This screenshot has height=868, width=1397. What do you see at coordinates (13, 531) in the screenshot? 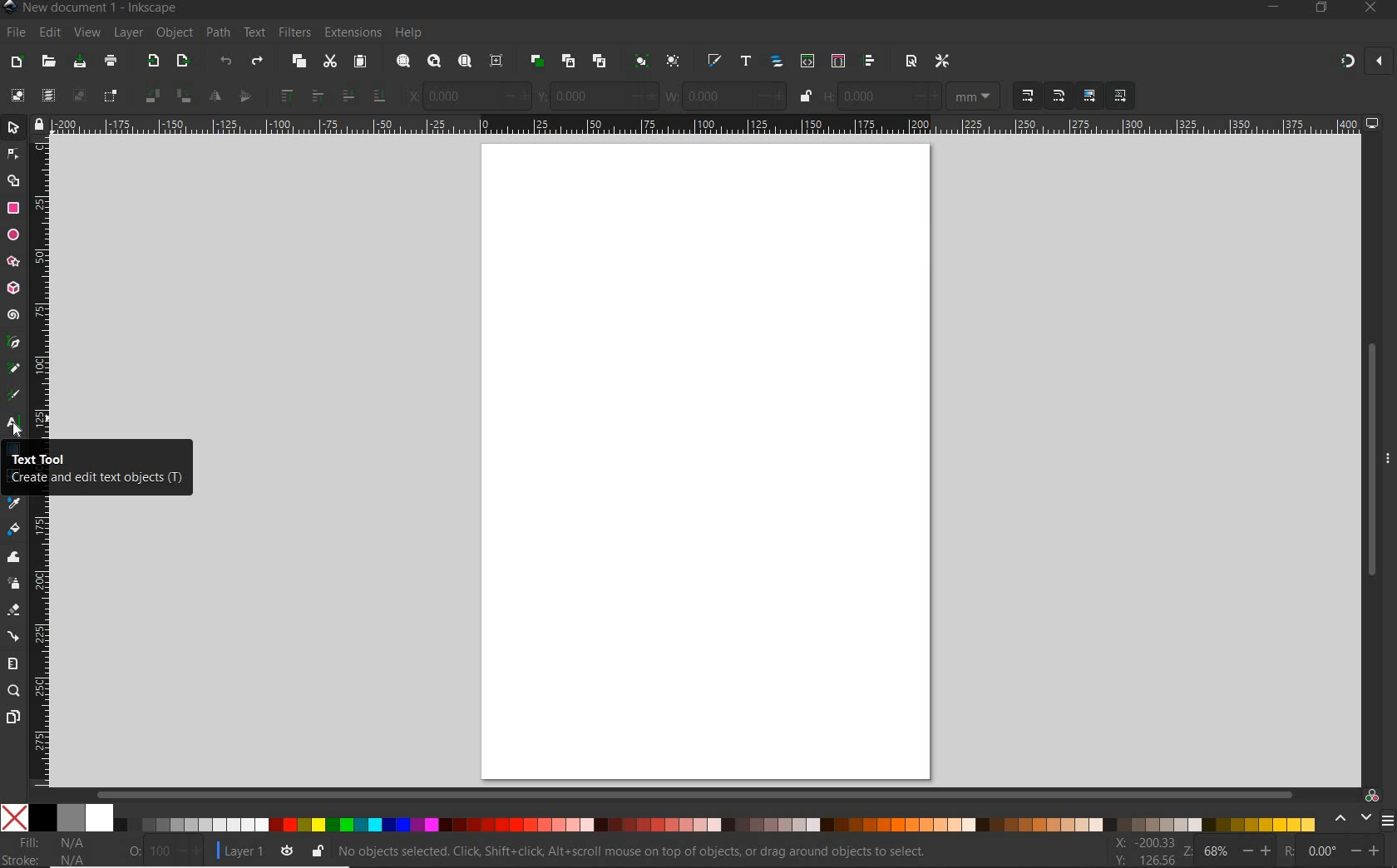
I see `paint bucket tool` at bounding box center [13, 531].